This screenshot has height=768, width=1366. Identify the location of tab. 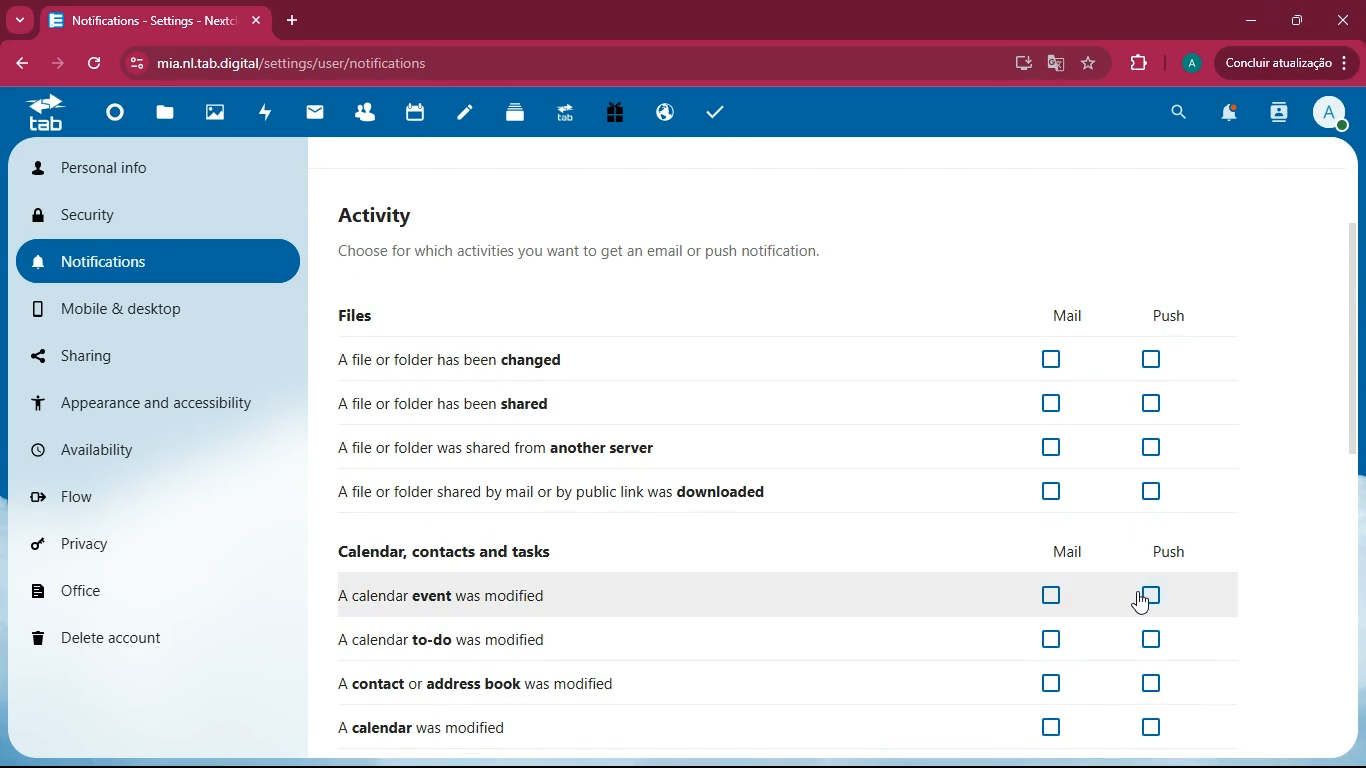
(48, 118).